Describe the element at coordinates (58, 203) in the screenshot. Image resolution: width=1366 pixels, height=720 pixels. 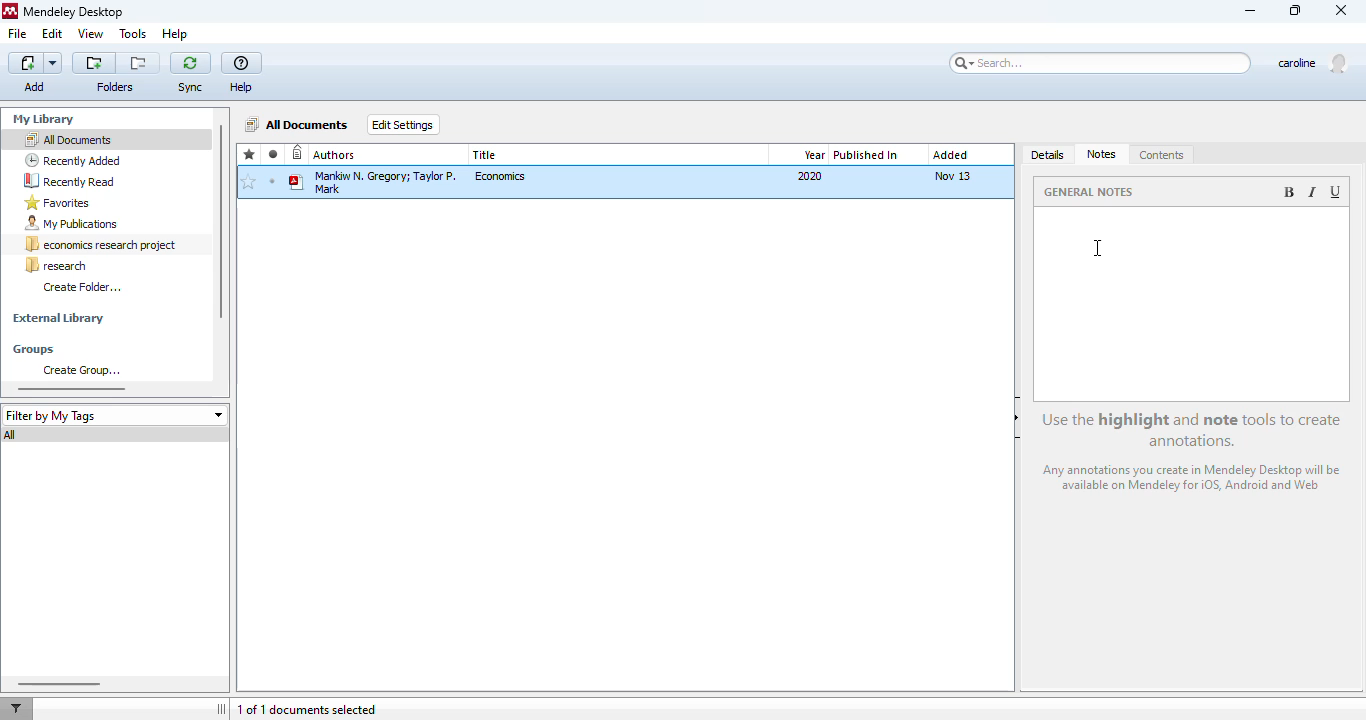
I see `favorites` at that location.